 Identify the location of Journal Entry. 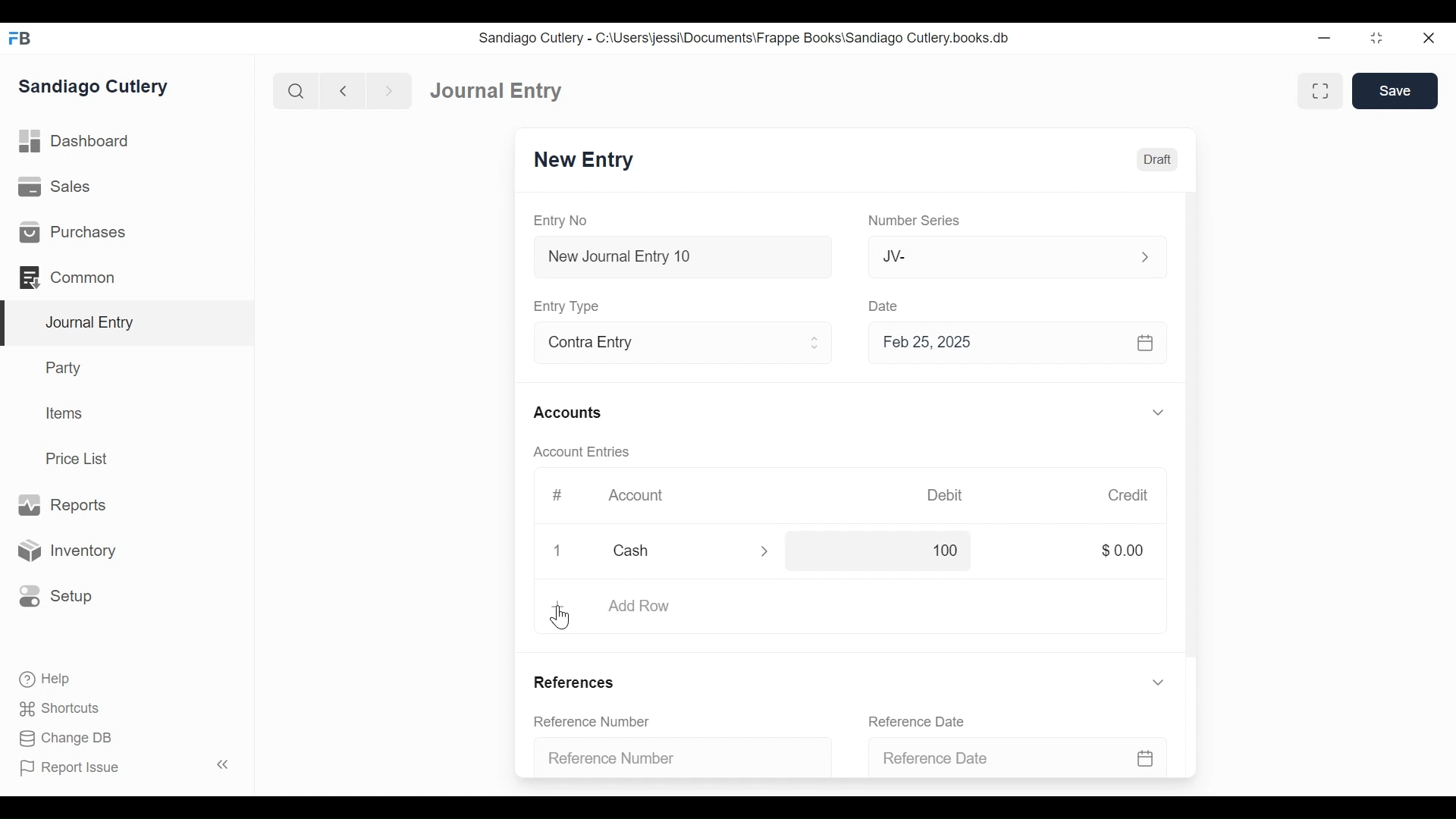
(128, 323).